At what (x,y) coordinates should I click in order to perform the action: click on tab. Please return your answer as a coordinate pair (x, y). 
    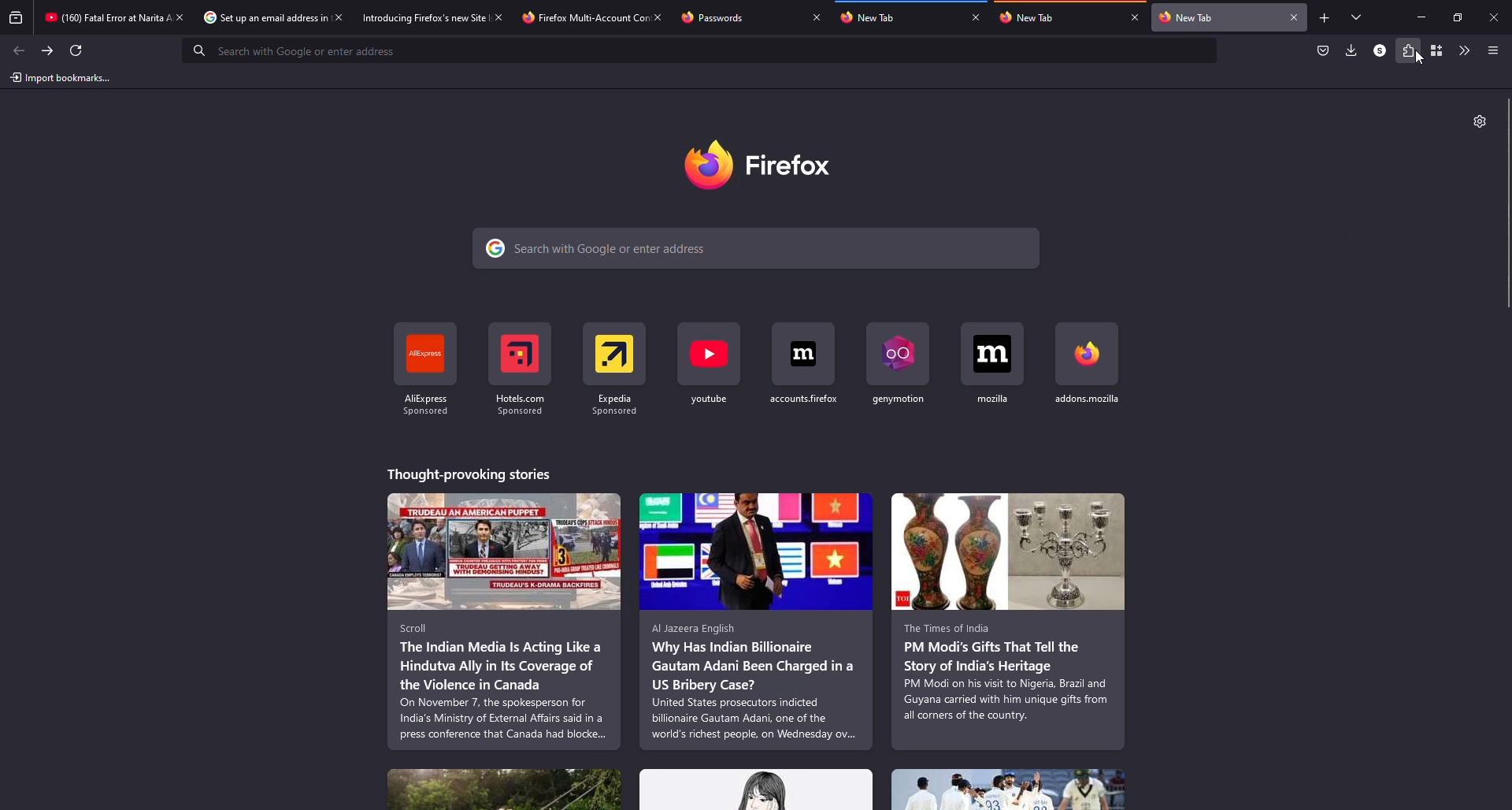
    Looking at the image, I should click on (1027, 17).